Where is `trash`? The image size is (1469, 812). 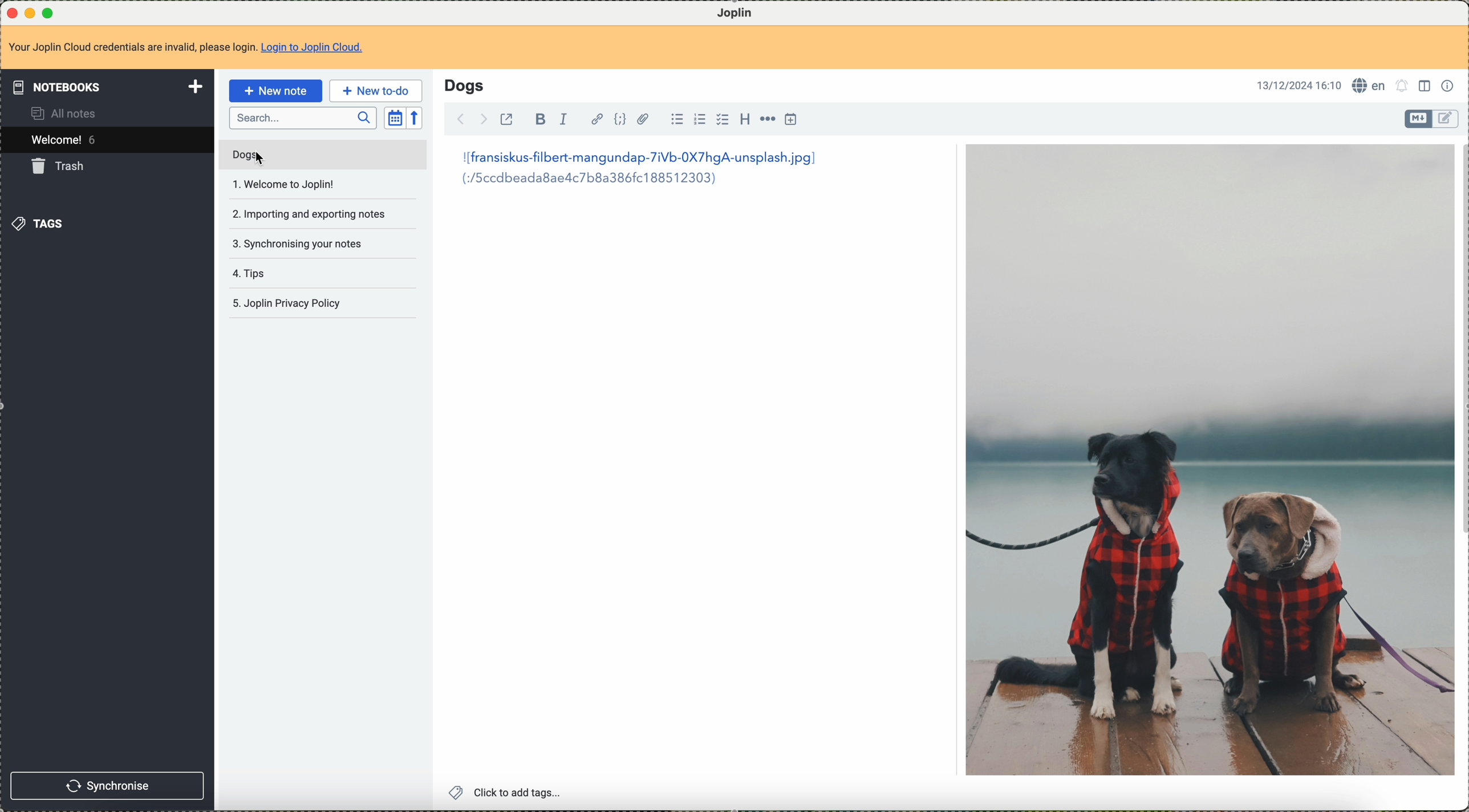
trash is located at coordinates (59, 167).